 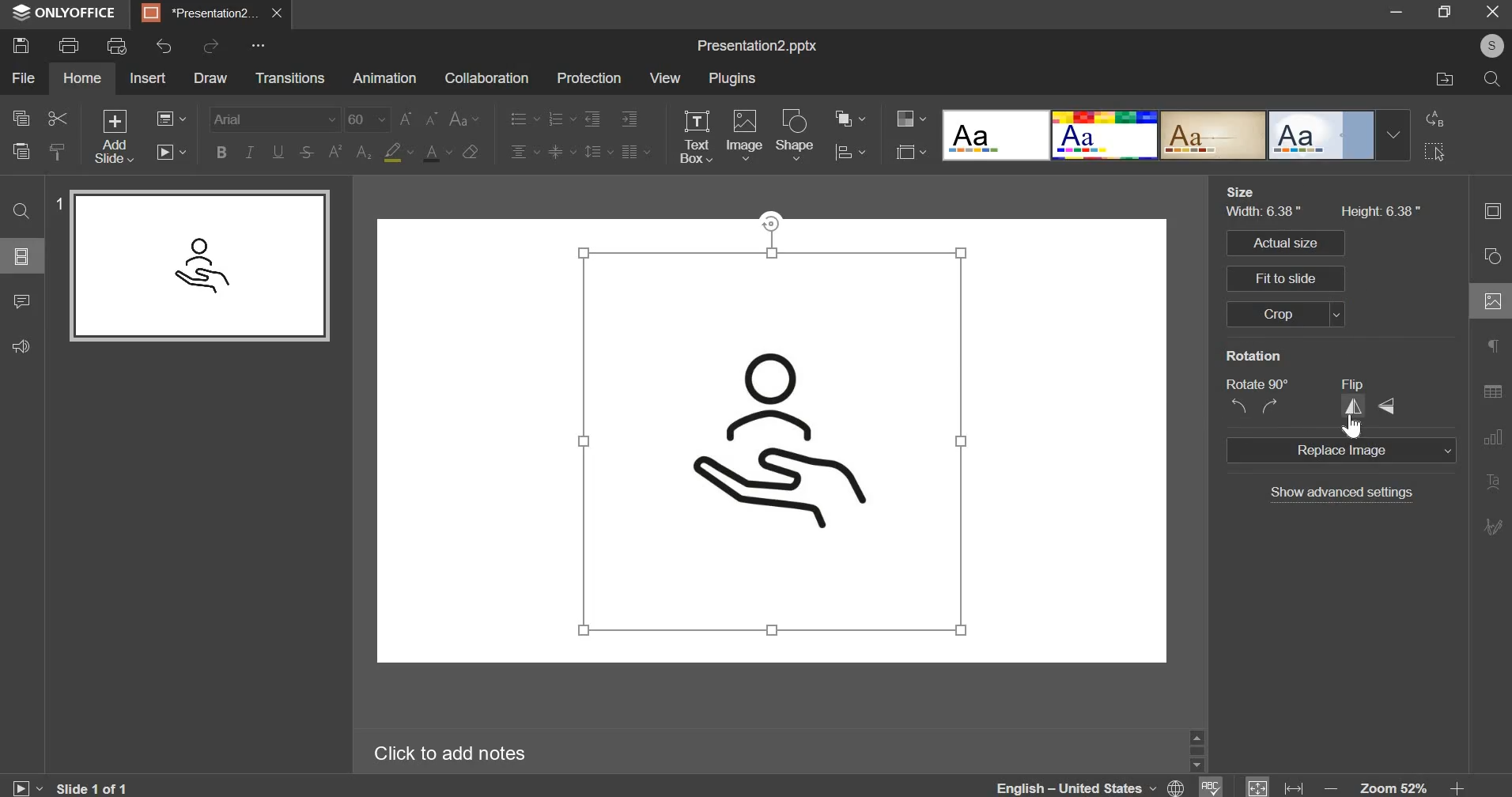 What do you see at coordinates (1492, 392) in the screenshot?
I see `table settings` at bounding box center [1492, 392].